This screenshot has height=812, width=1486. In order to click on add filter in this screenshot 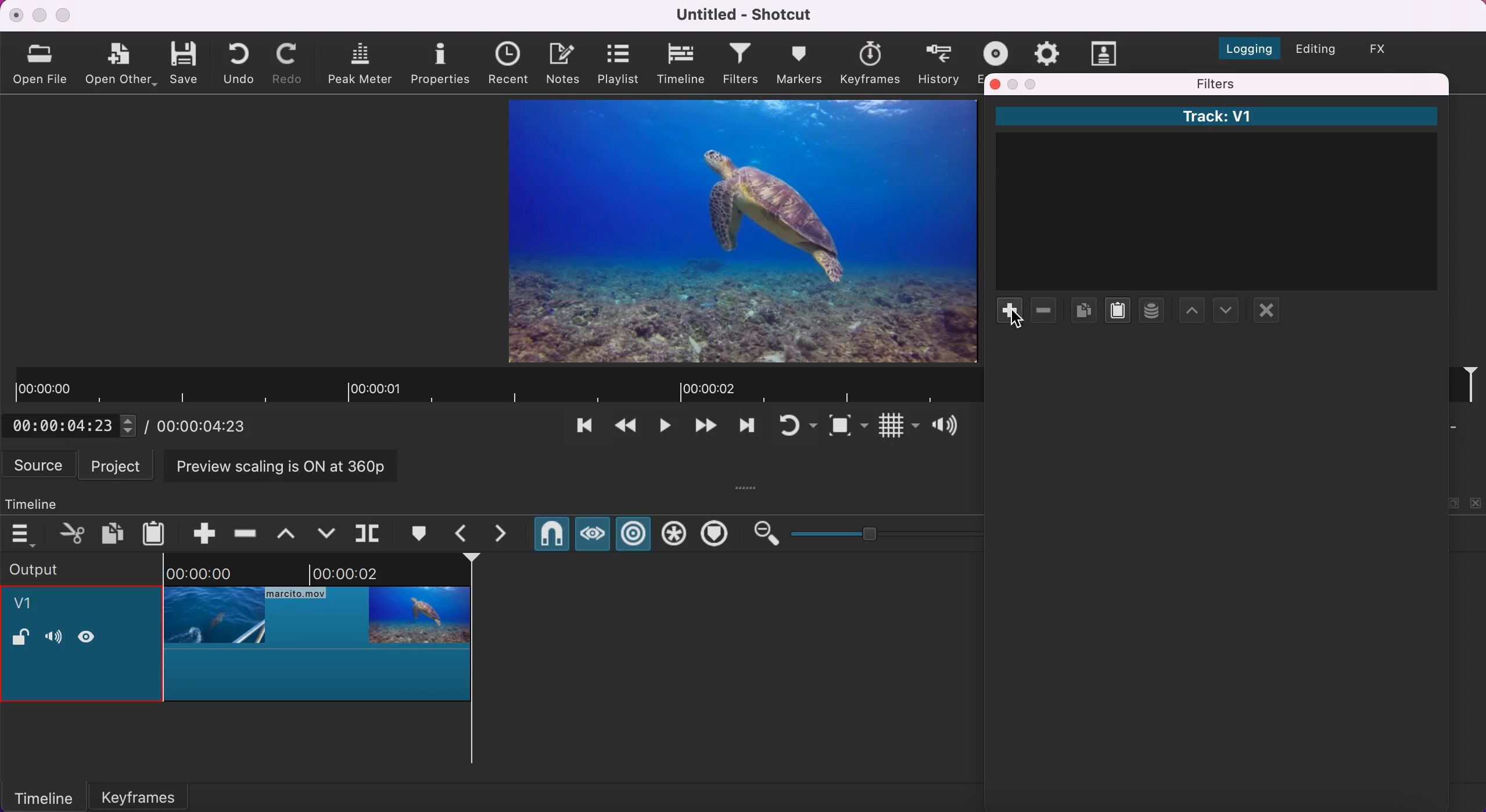, I will do `click(1006, 311)`.